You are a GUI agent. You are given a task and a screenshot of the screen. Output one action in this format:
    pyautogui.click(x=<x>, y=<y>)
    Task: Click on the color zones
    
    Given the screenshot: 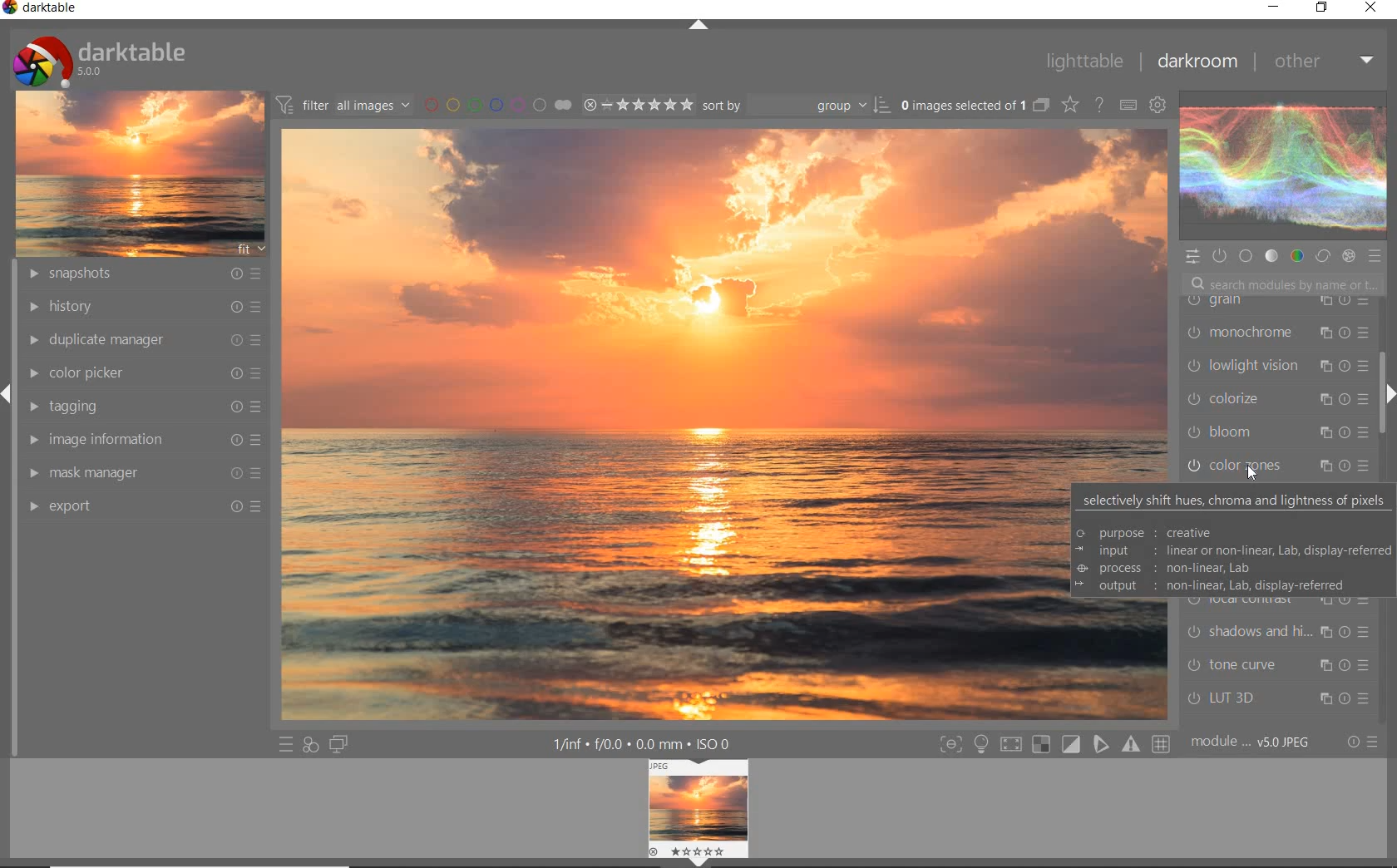 What is the action you would take?
    pyautogui.click(x=1263, y=466)
    